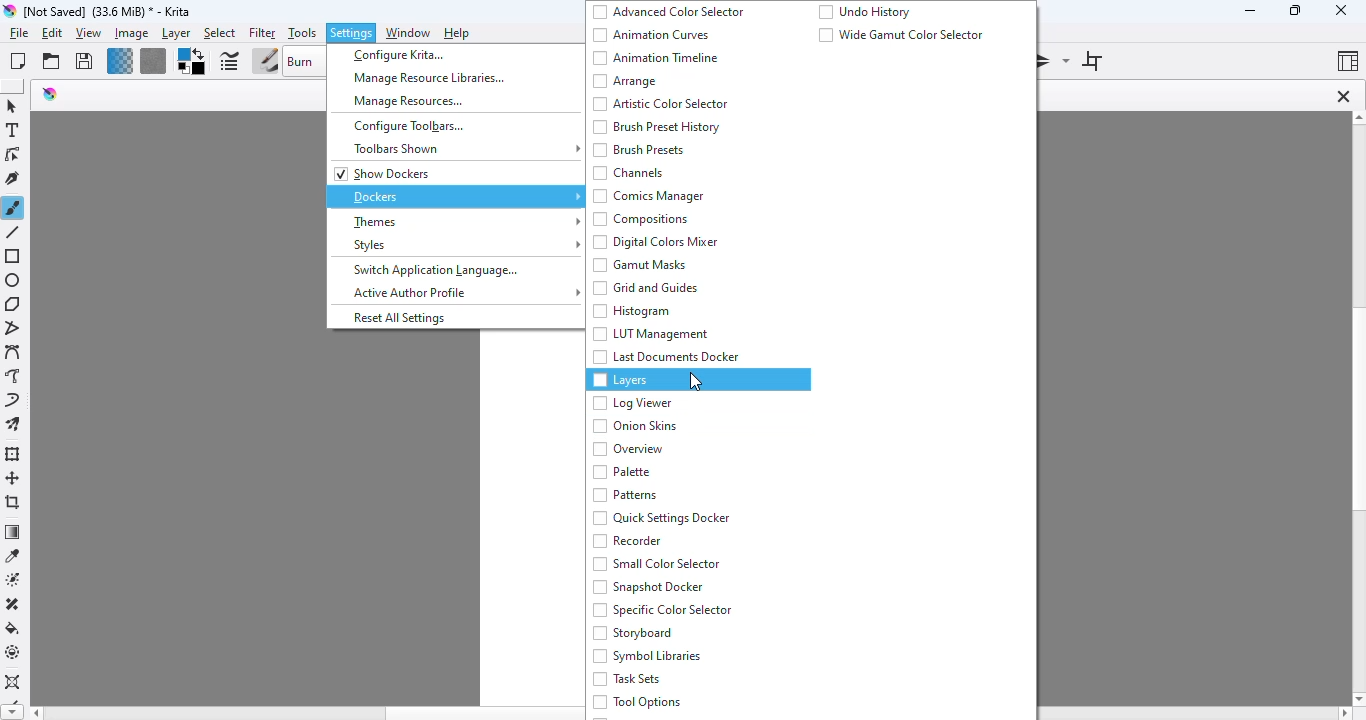 The image size is (1366, 720). I want to click on bezier curve tool, so click(14, 353).